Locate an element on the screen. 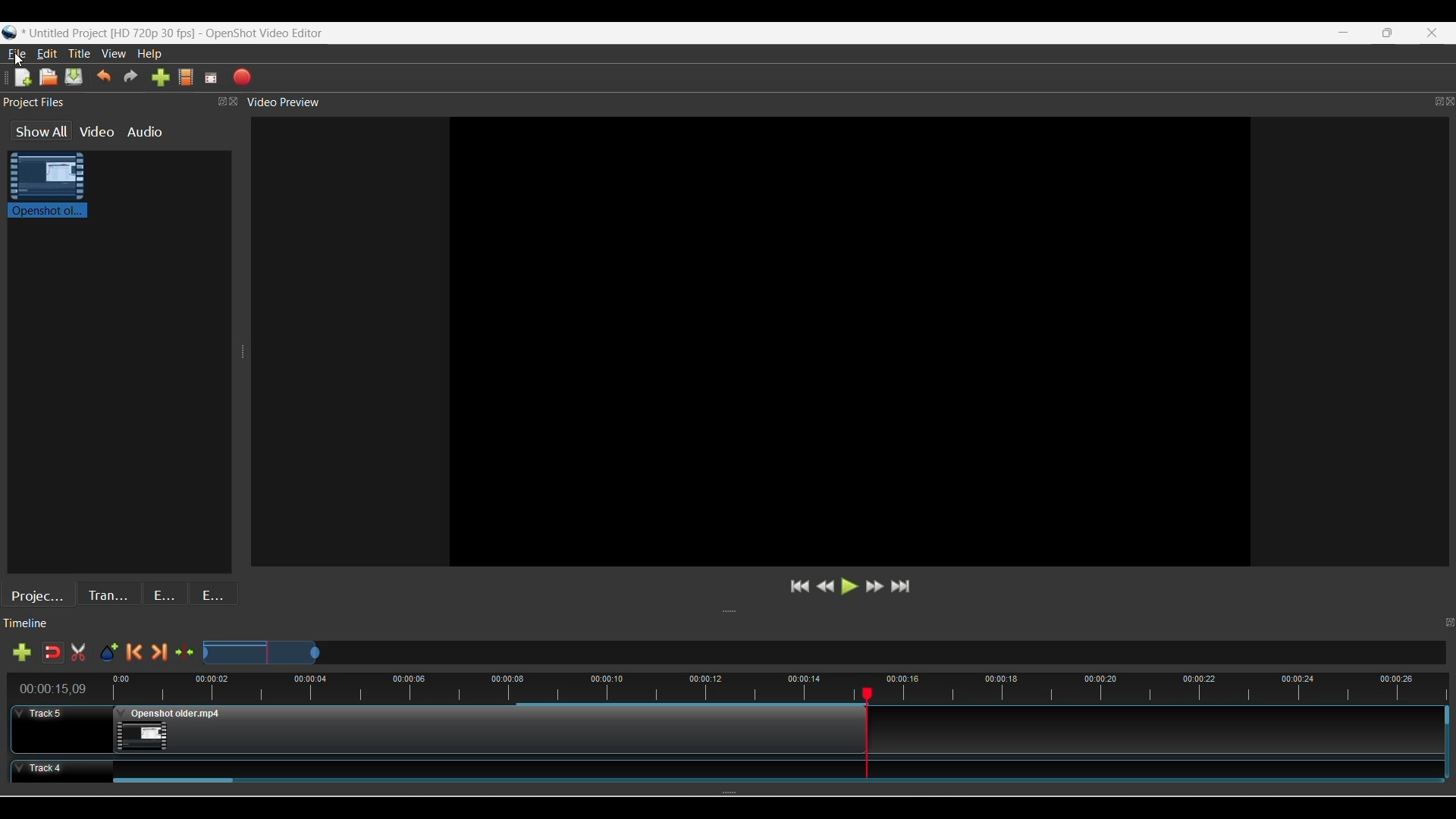 This screenshot has height=819, width=1456. Minimize is located at coordinates (1341, 33).